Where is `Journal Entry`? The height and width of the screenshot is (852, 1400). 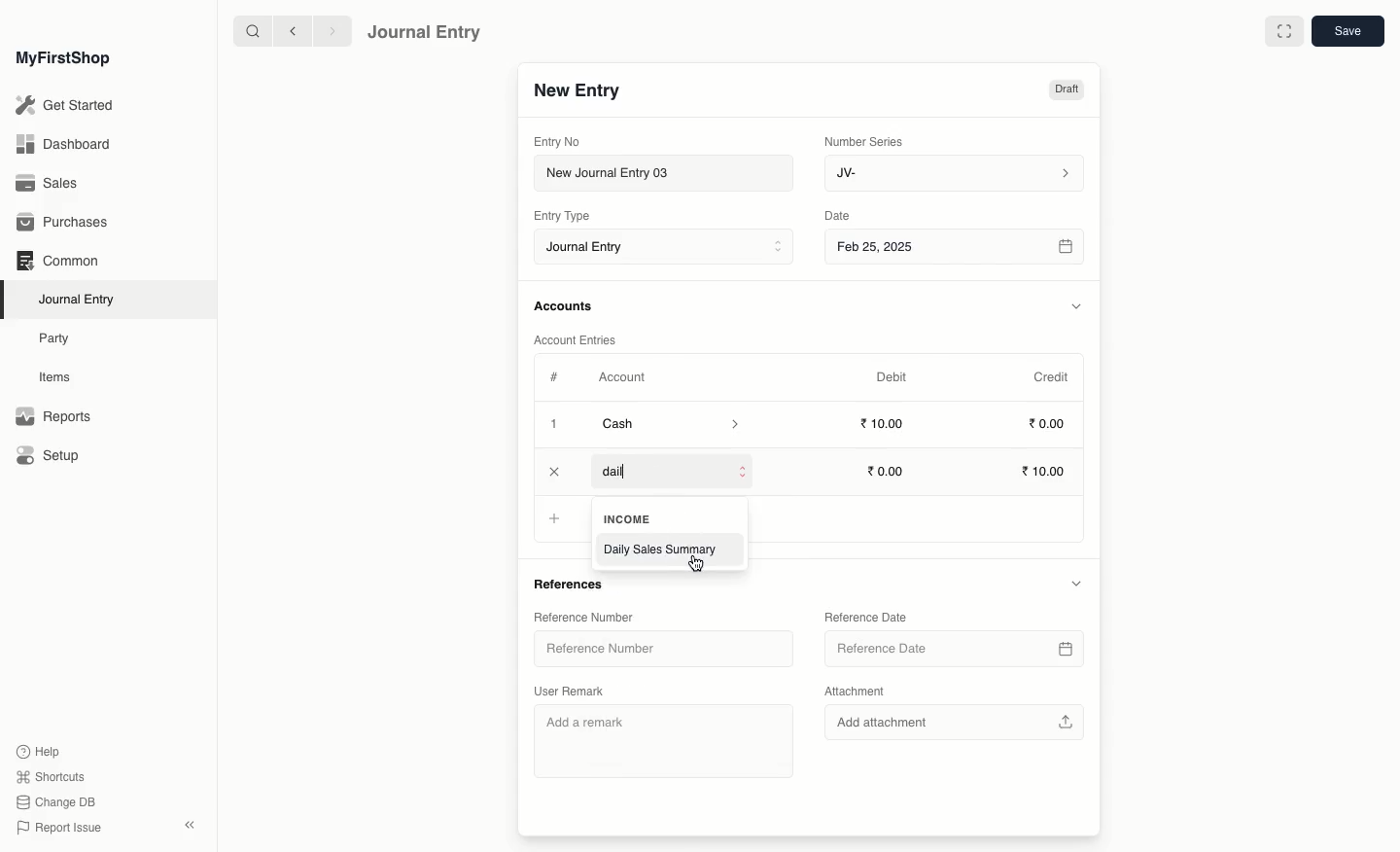 Journal Entry is located at coordinates (669, 248).